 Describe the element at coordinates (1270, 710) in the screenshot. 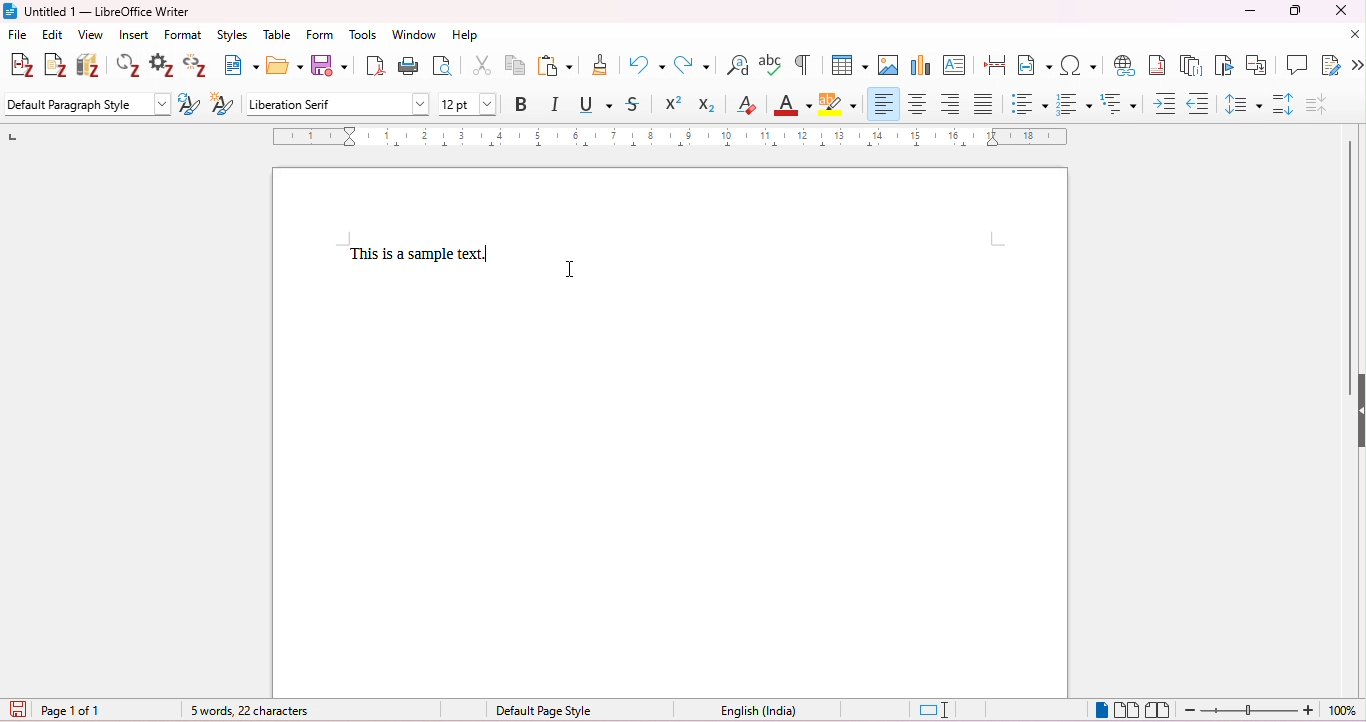

I see `zoom` at that location.